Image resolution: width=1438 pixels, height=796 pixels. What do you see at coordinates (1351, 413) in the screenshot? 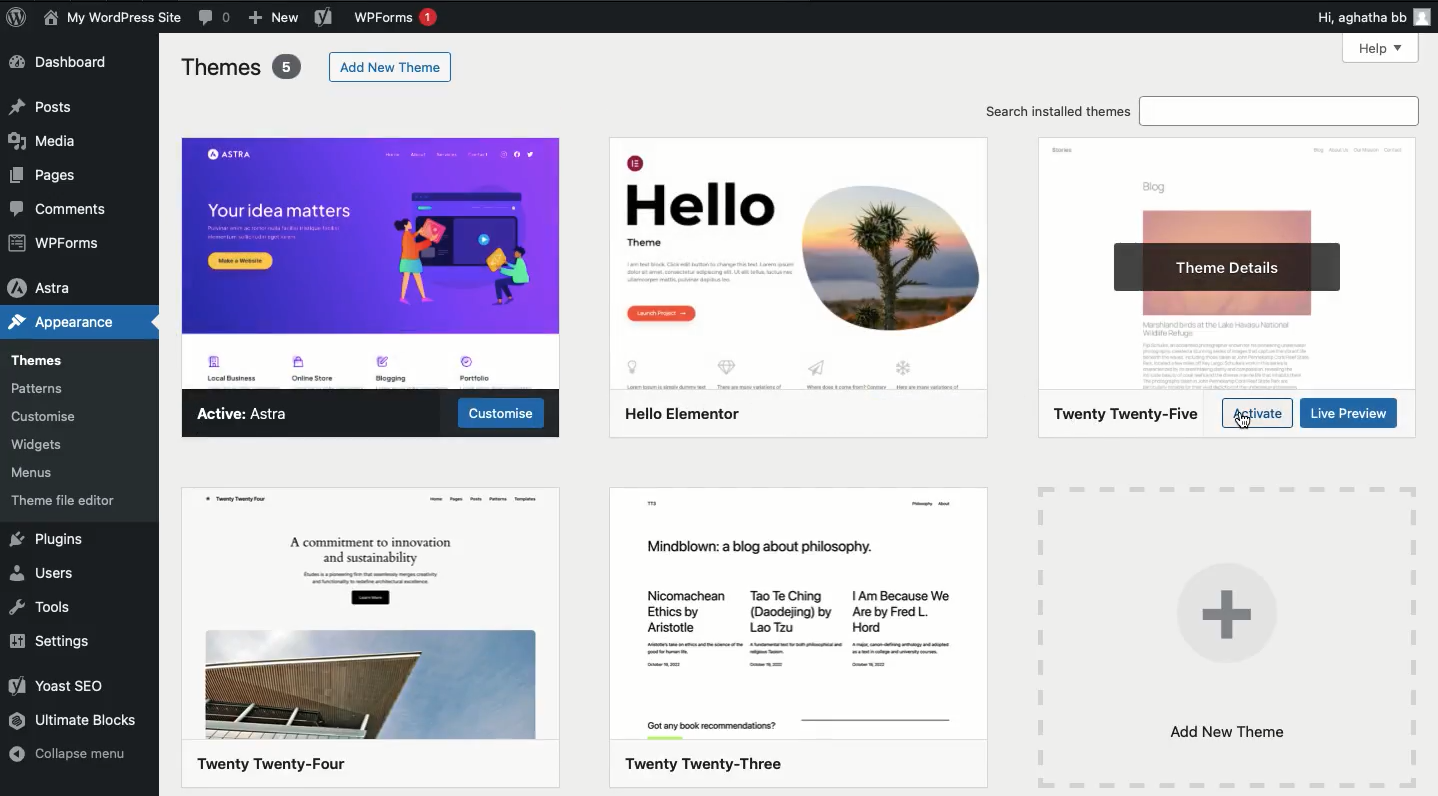
I see `Live preview` at bounding box center [1351, 413].